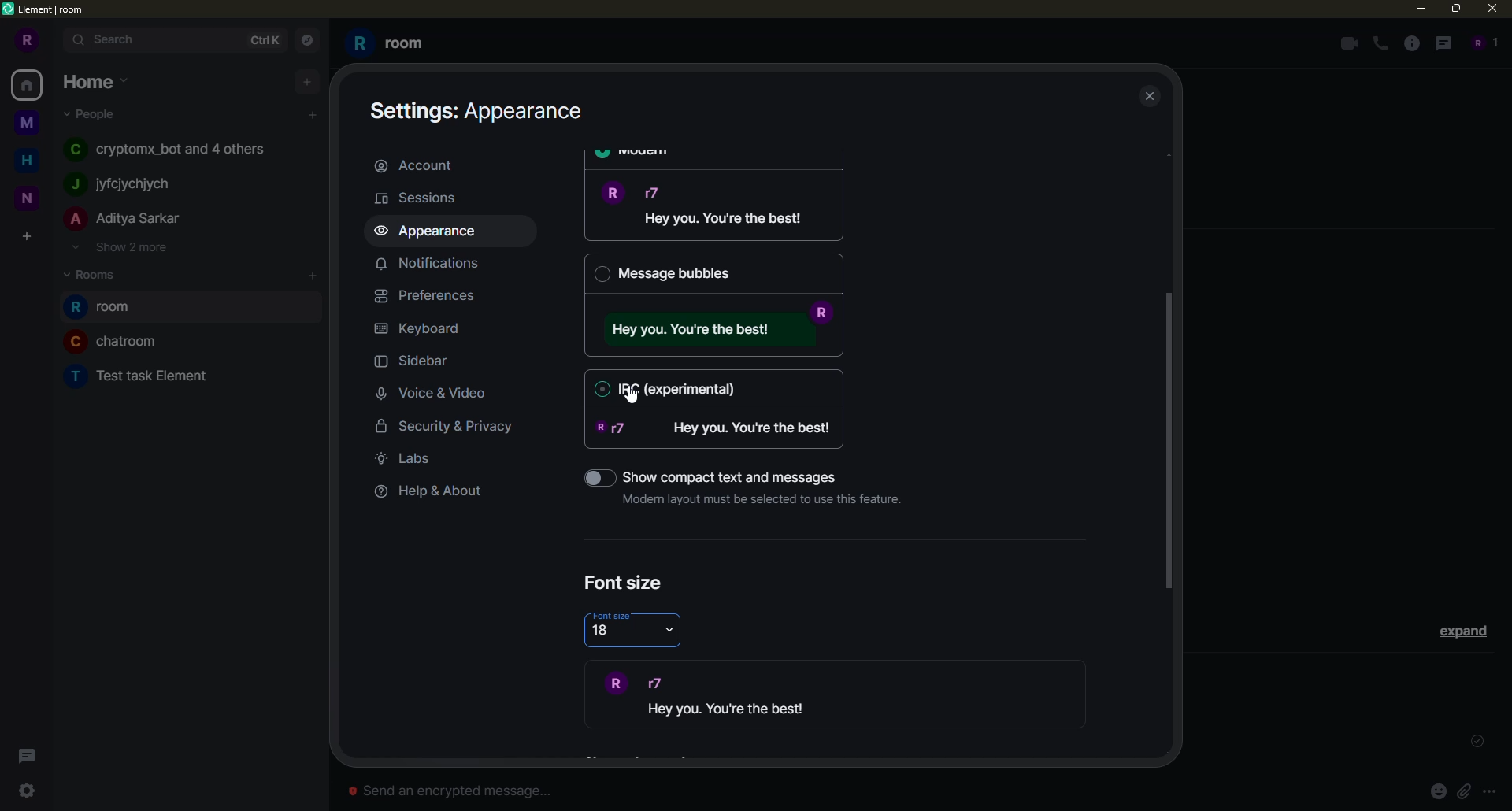  What do you see at coordinates (625, 631) in the screenshot?
I see `18` at bounding box center [625, 631].